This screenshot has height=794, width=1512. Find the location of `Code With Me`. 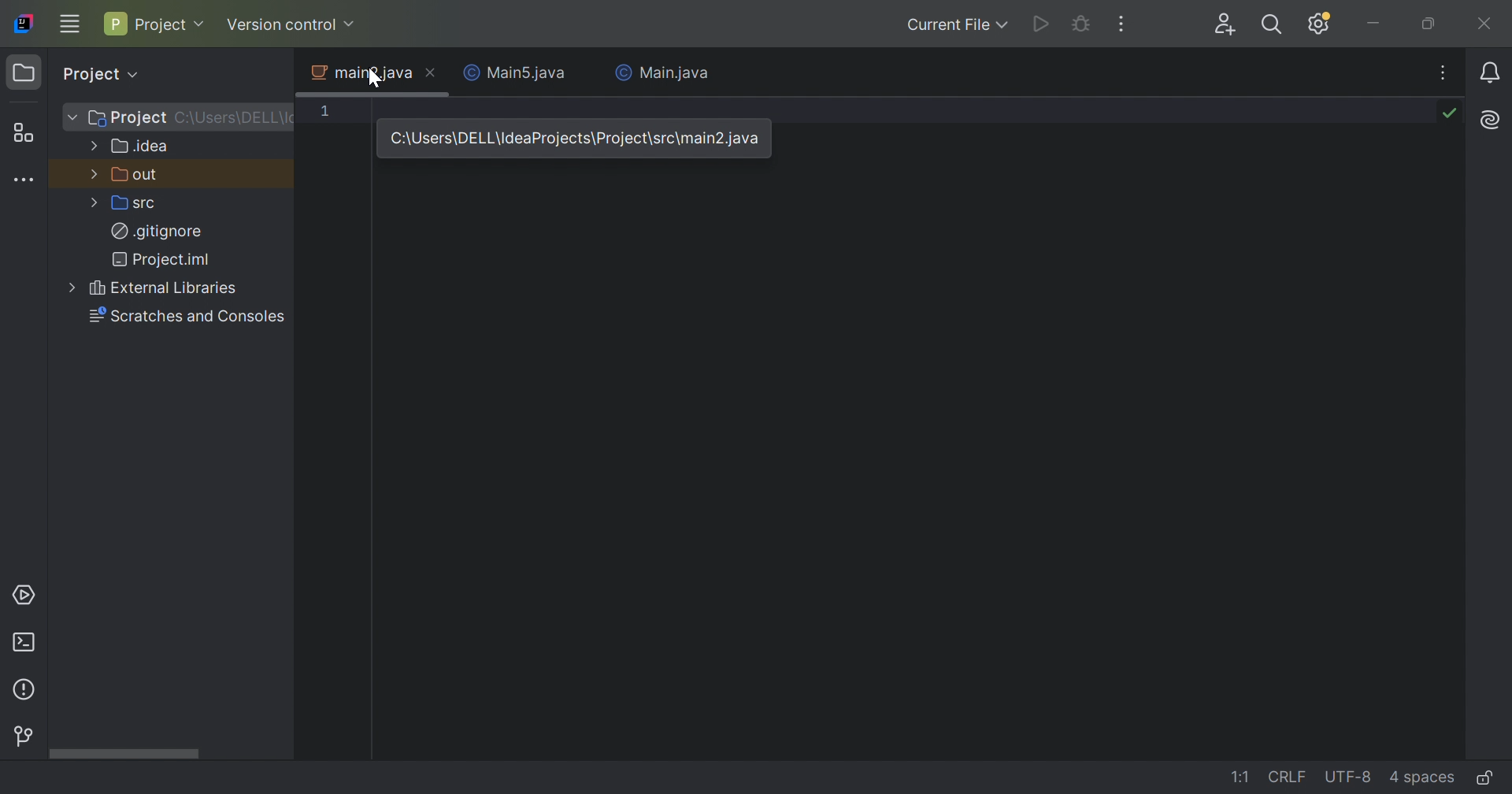

Code With Me is located at coordinates (1224, 24).